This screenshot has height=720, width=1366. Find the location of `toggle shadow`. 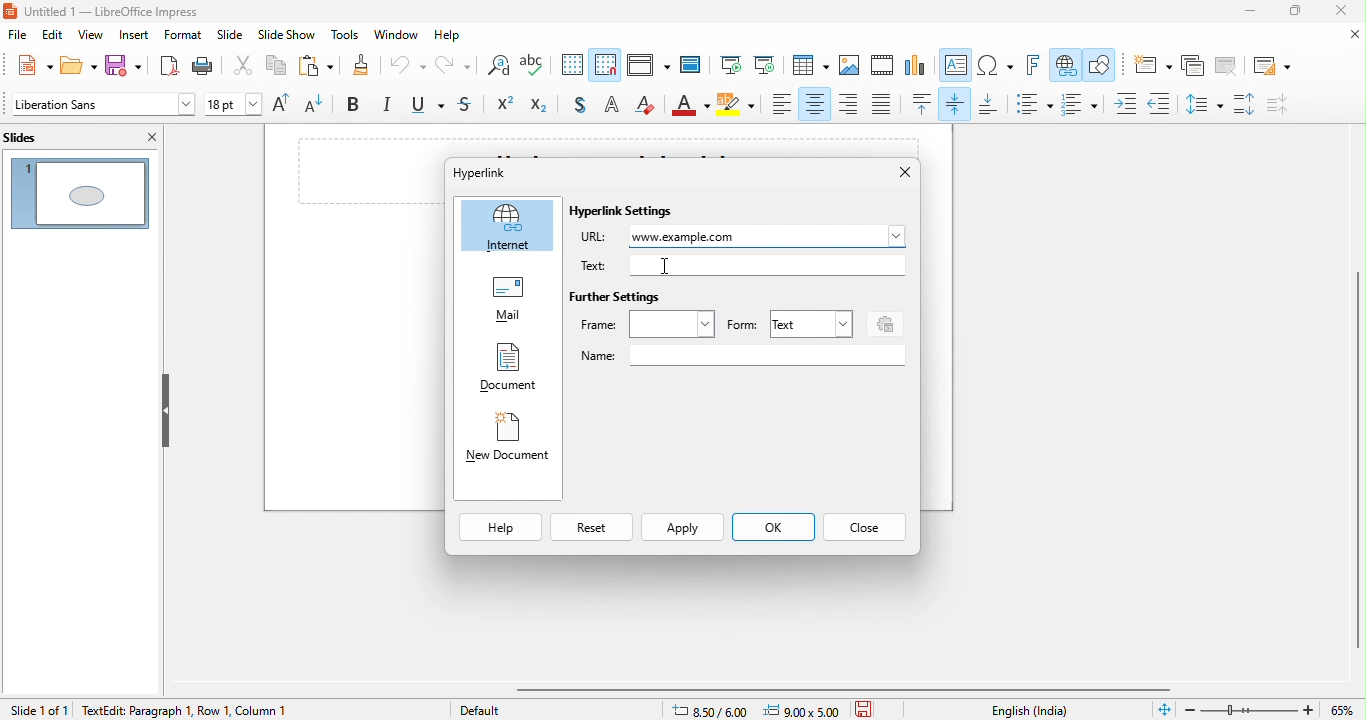

toggle shadow is located at coordinates (578, 106).